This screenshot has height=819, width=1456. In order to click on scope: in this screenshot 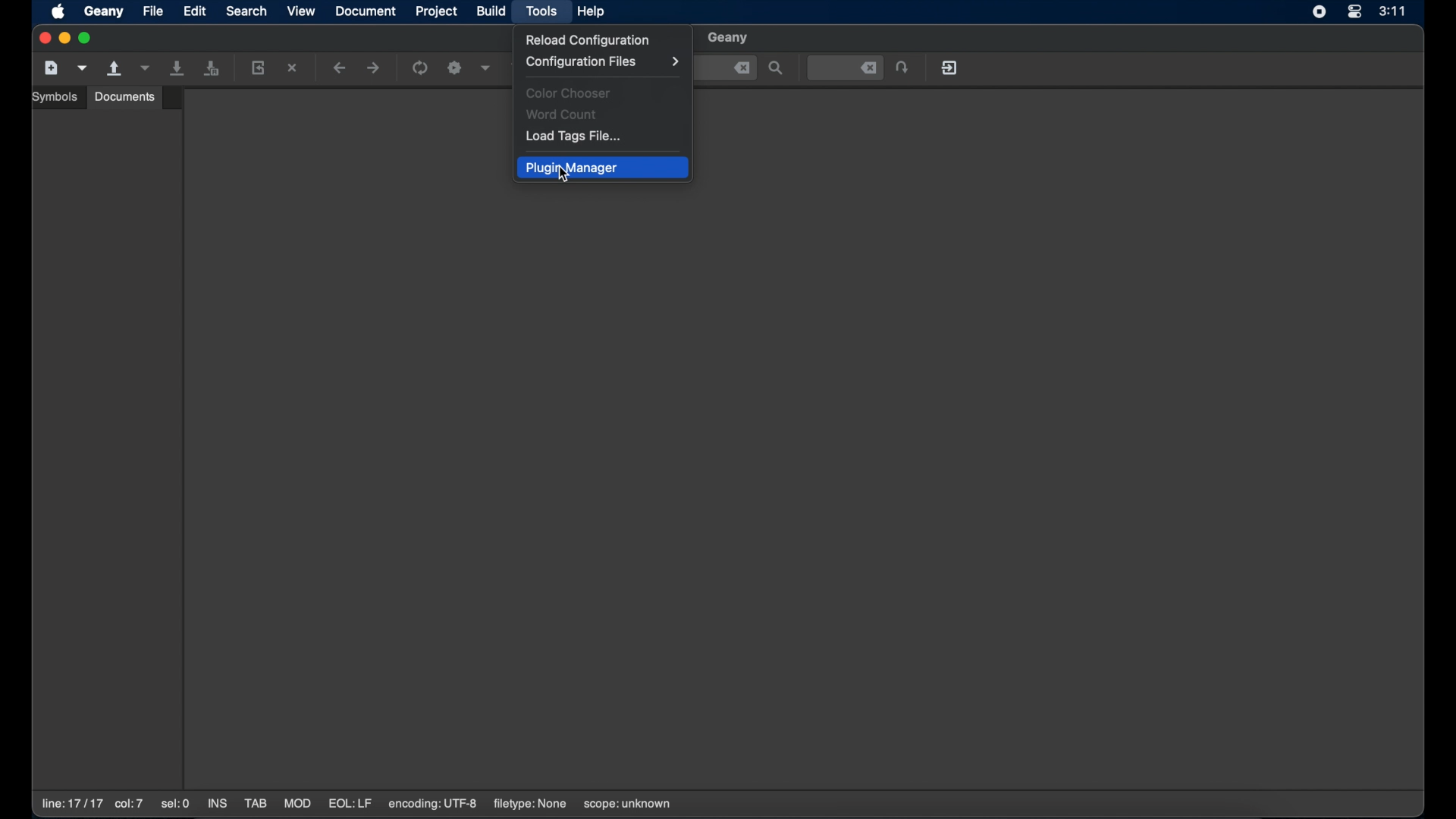, I will do `click(627, 805)`.